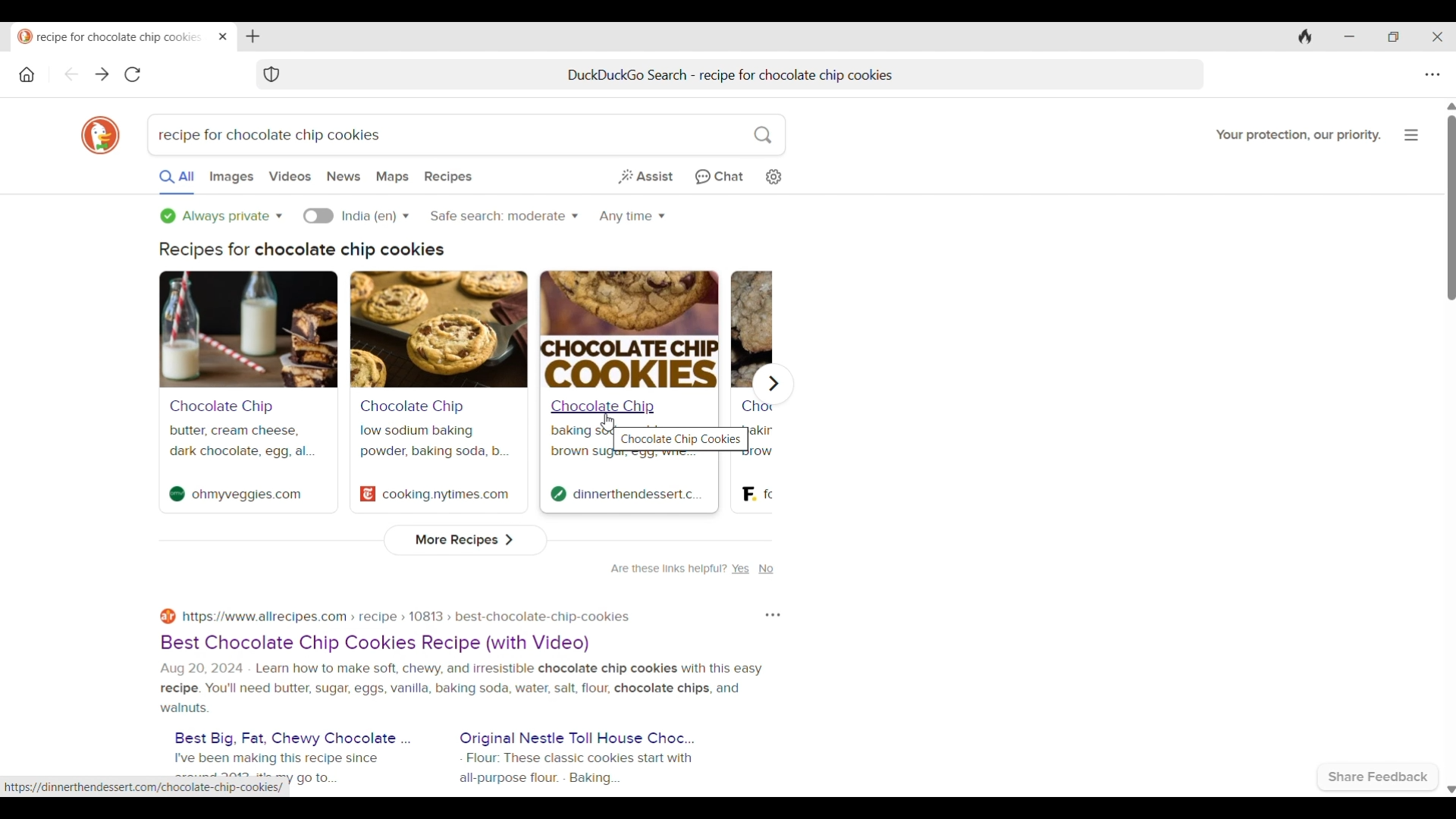 Image resolution: width=1456 pixels, height=819 pixels. Describe the element at coordinates (692, 570) in the screenshot. I see `Are these links helpful? Yes No` at that location.